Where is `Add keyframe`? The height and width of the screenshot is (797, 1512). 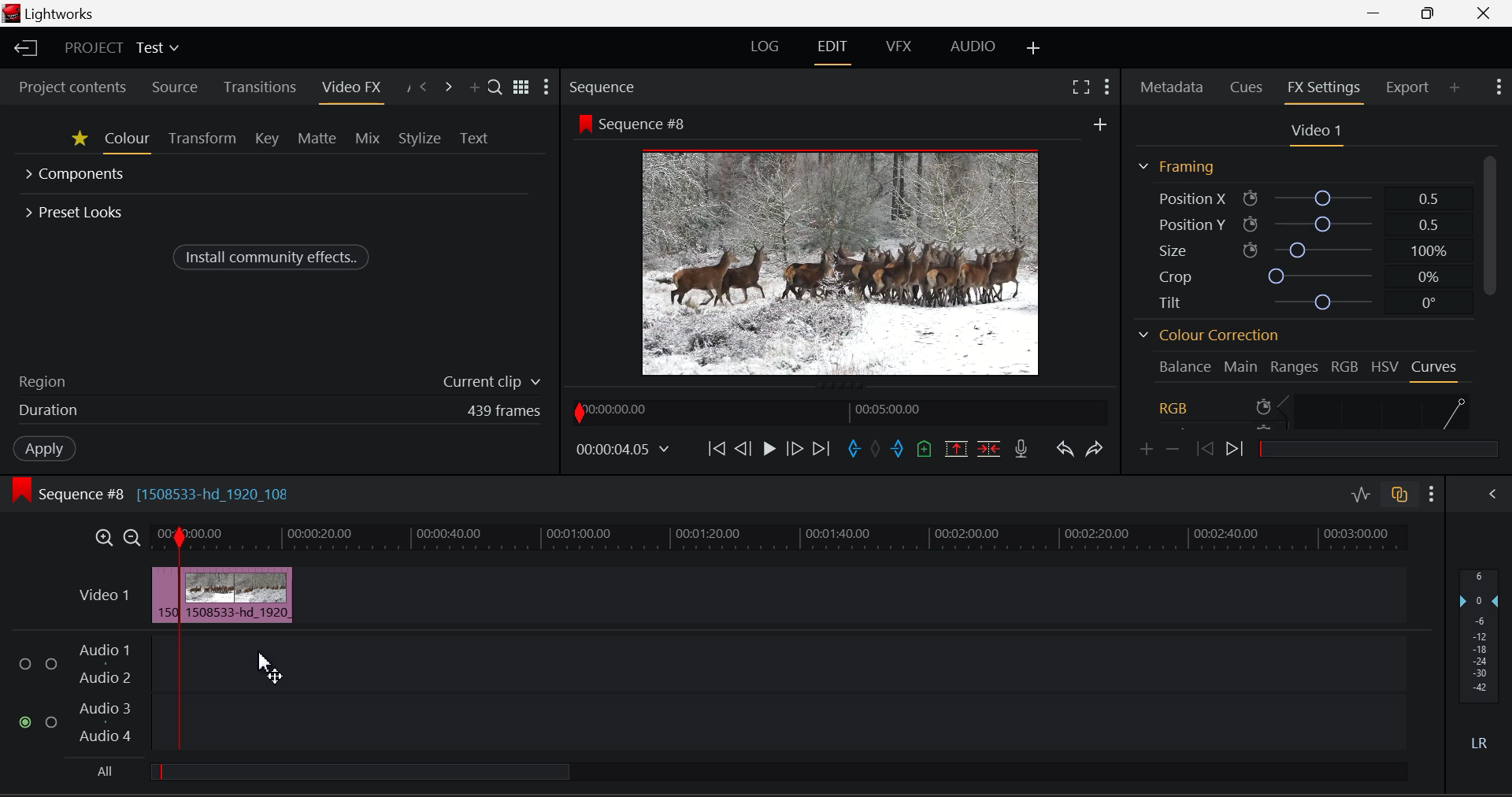 Add keyframe is located at coordinates (1144, 450).